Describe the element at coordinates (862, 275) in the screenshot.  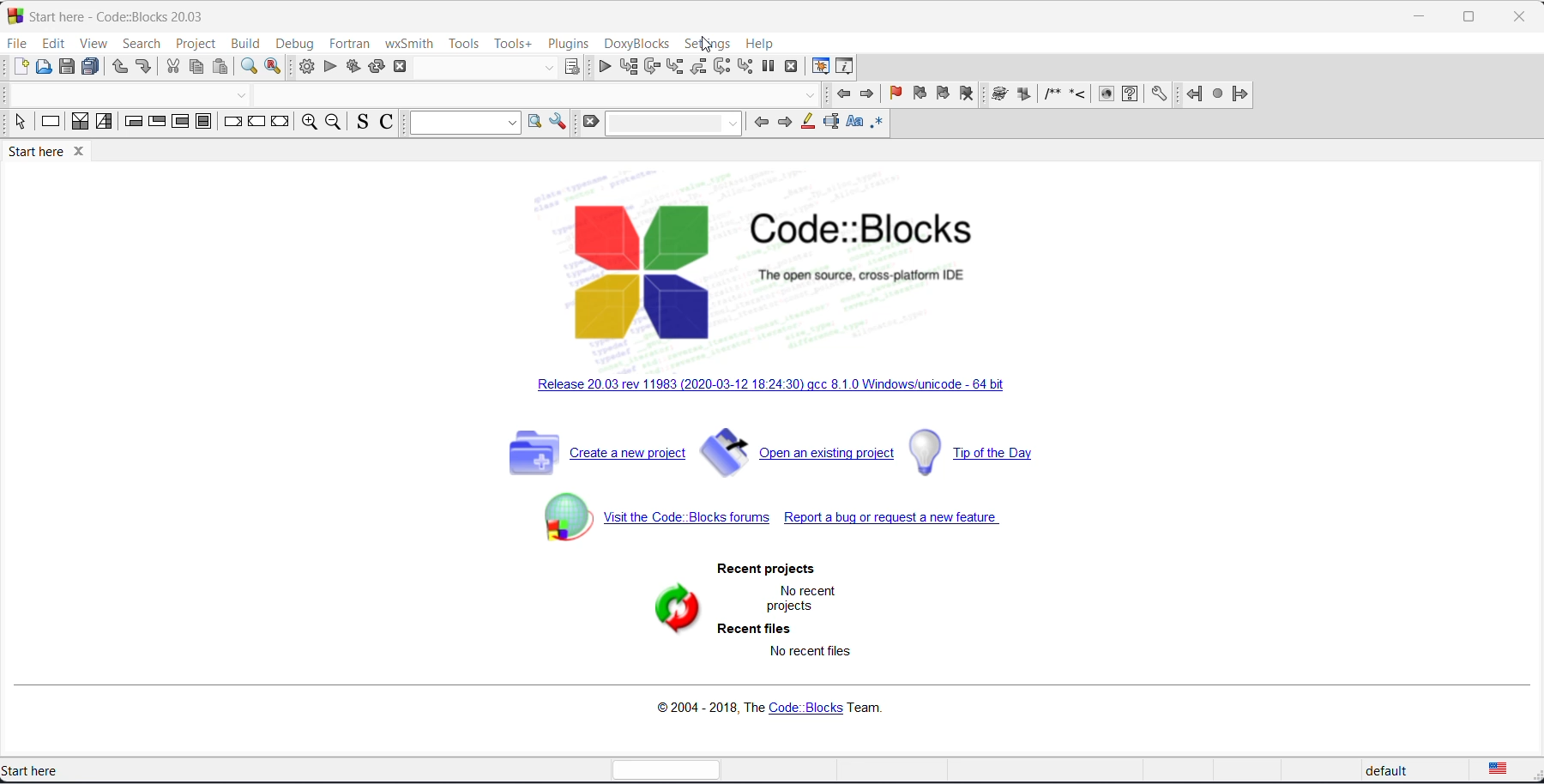
I see `The open source, cross-platform IDE` at that location.